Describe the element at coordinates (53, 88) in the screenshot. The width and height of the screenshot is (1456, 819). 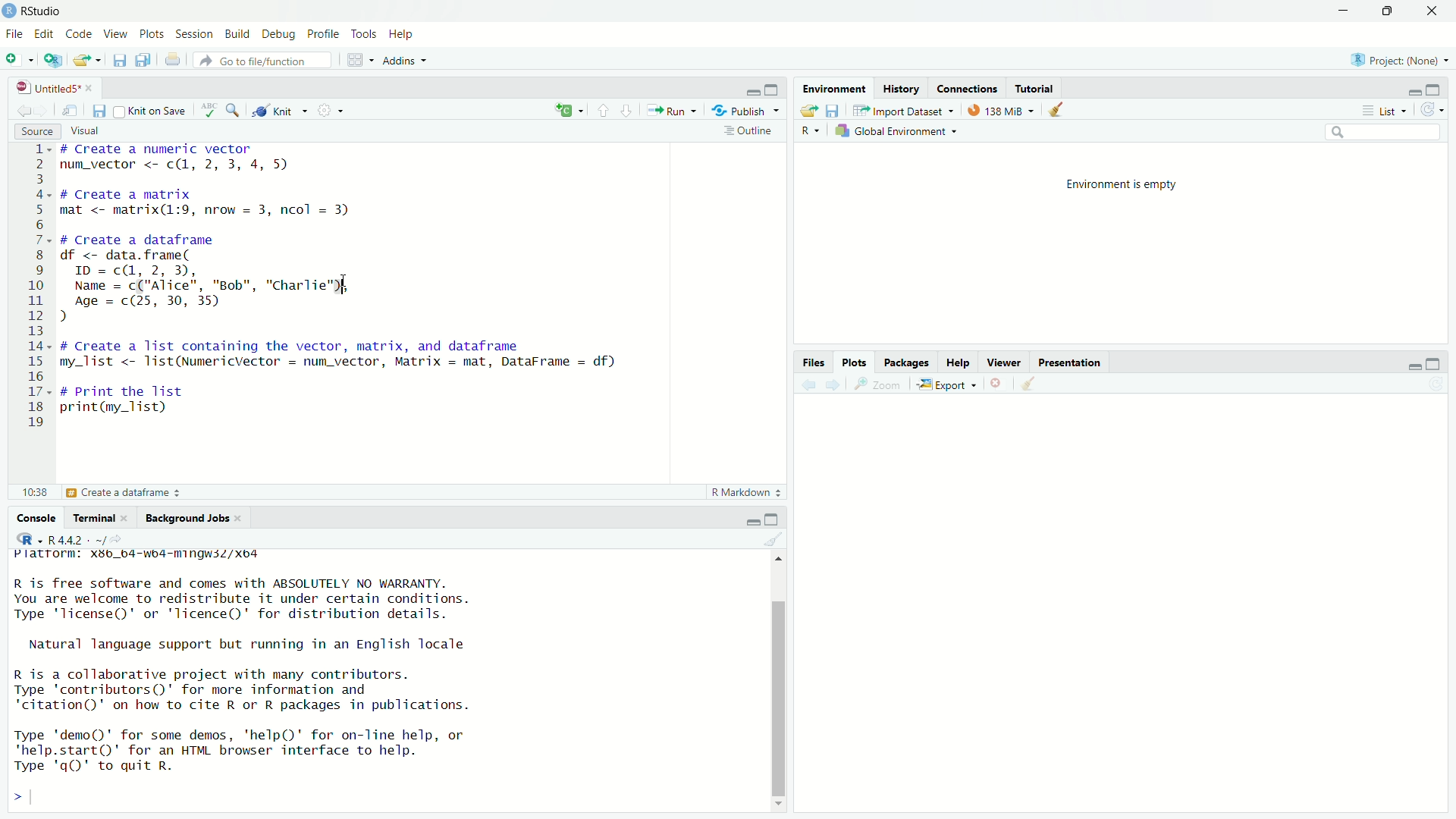
I see `) | Untitled5*` at that location.